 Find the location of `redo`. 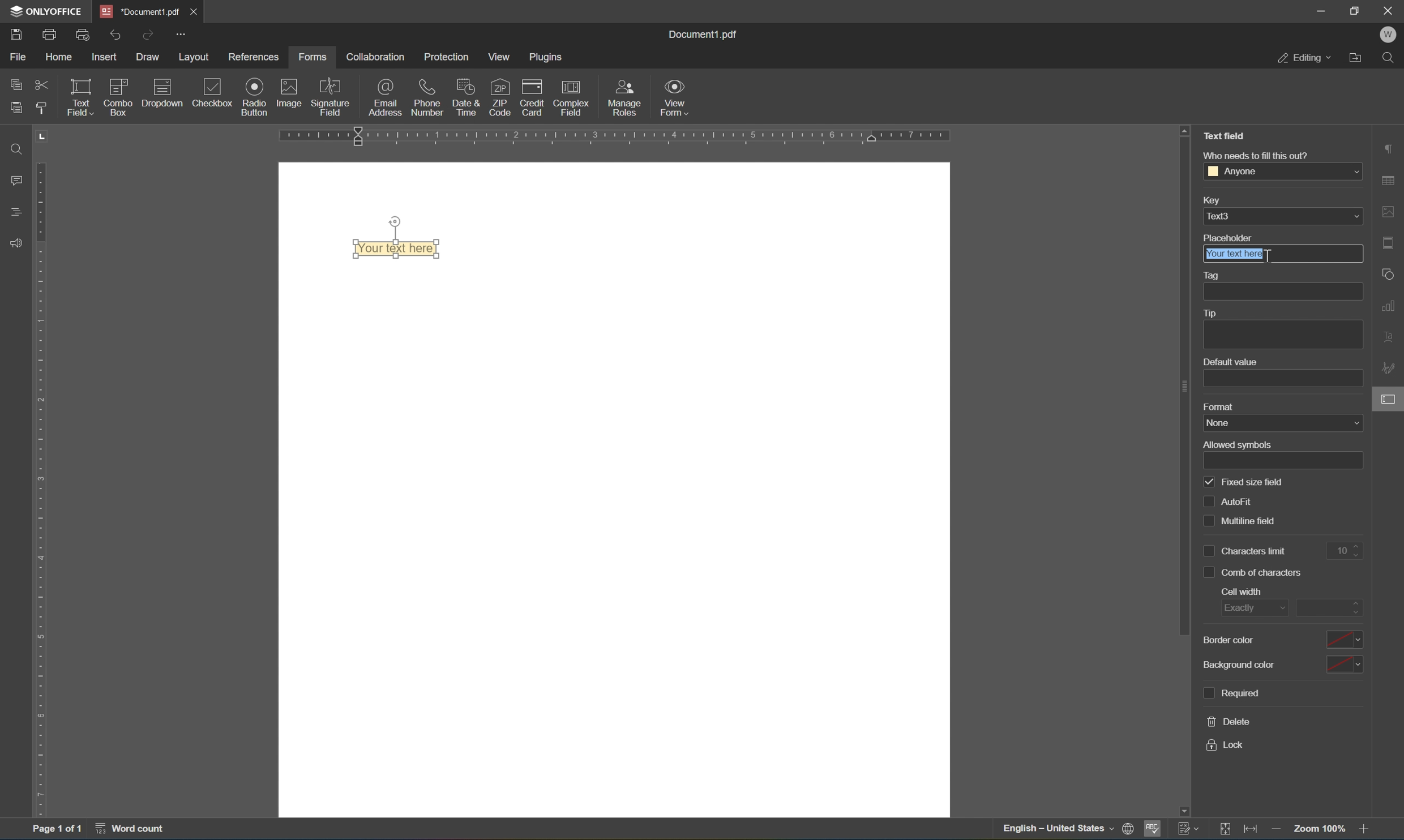

redo is located at coordinates (148, 33).